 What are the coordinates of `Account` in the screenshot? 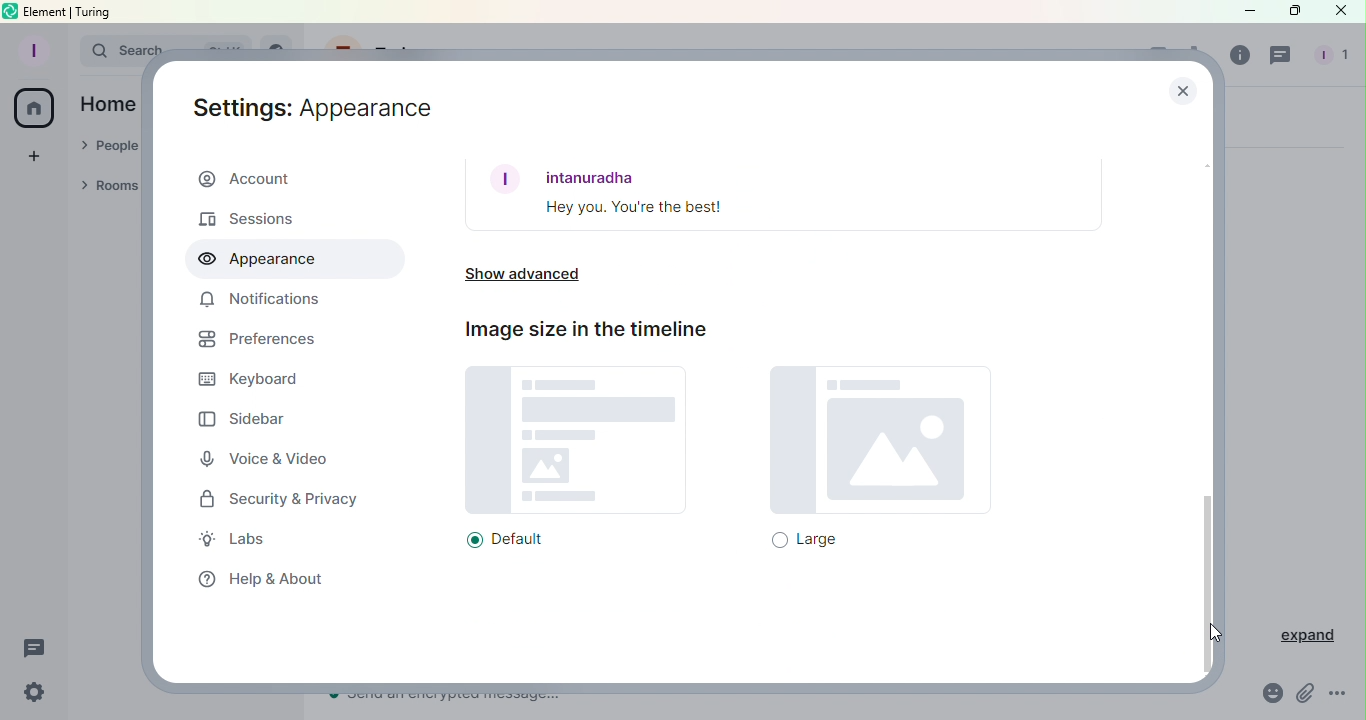 It's located at (292, 181).